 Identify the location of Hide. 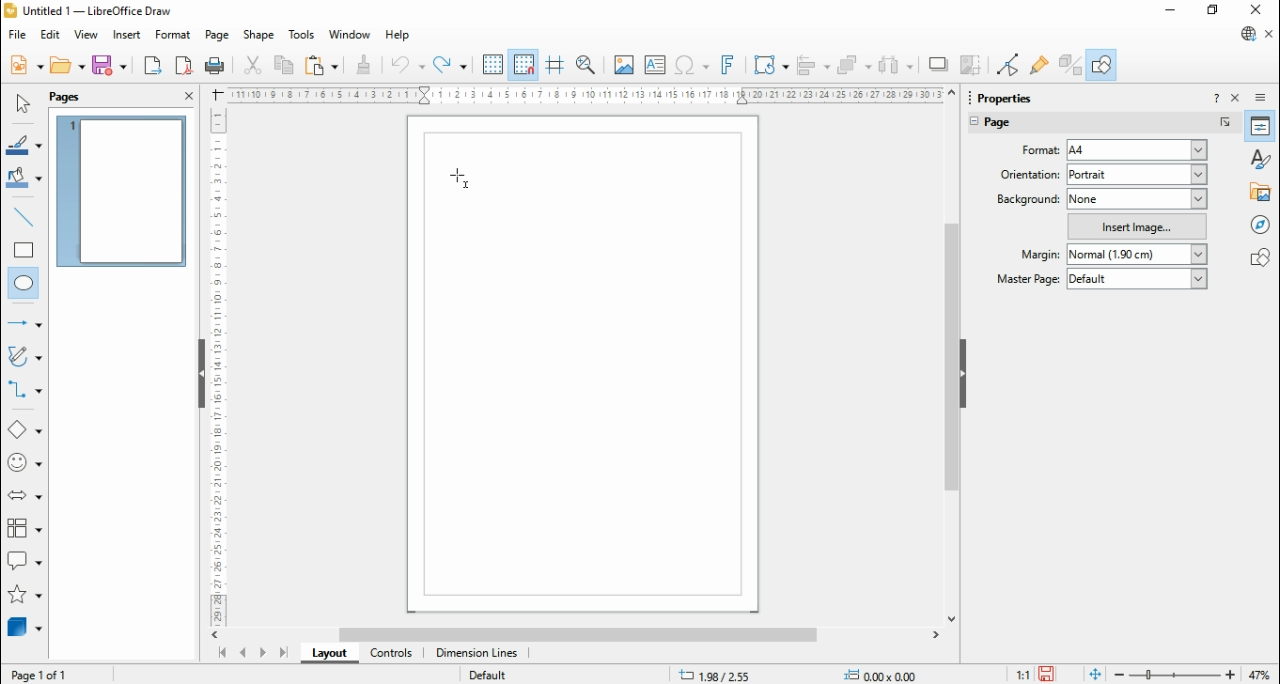
(201, 375).